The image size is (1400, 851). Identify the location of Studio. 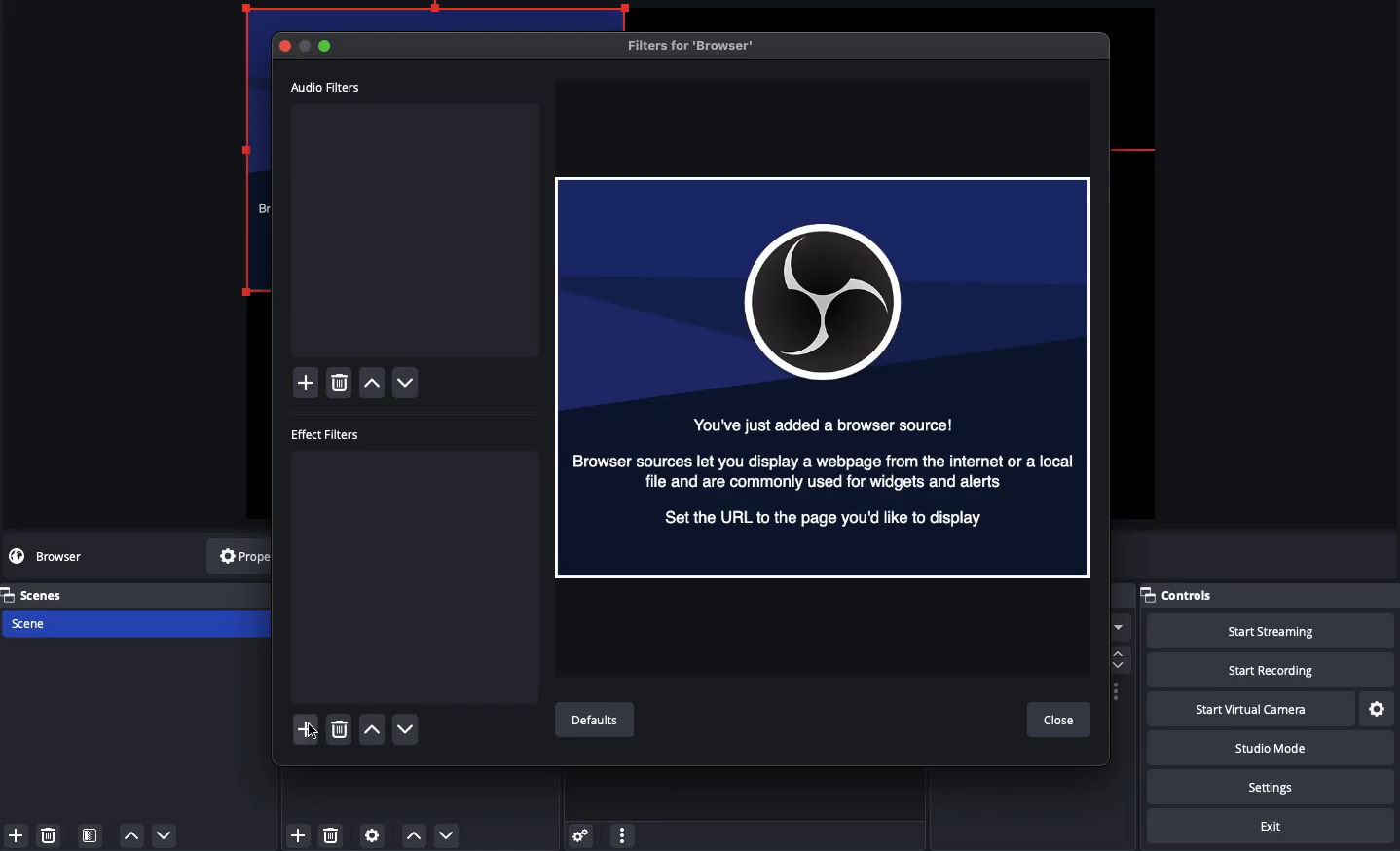
(1269, 748).